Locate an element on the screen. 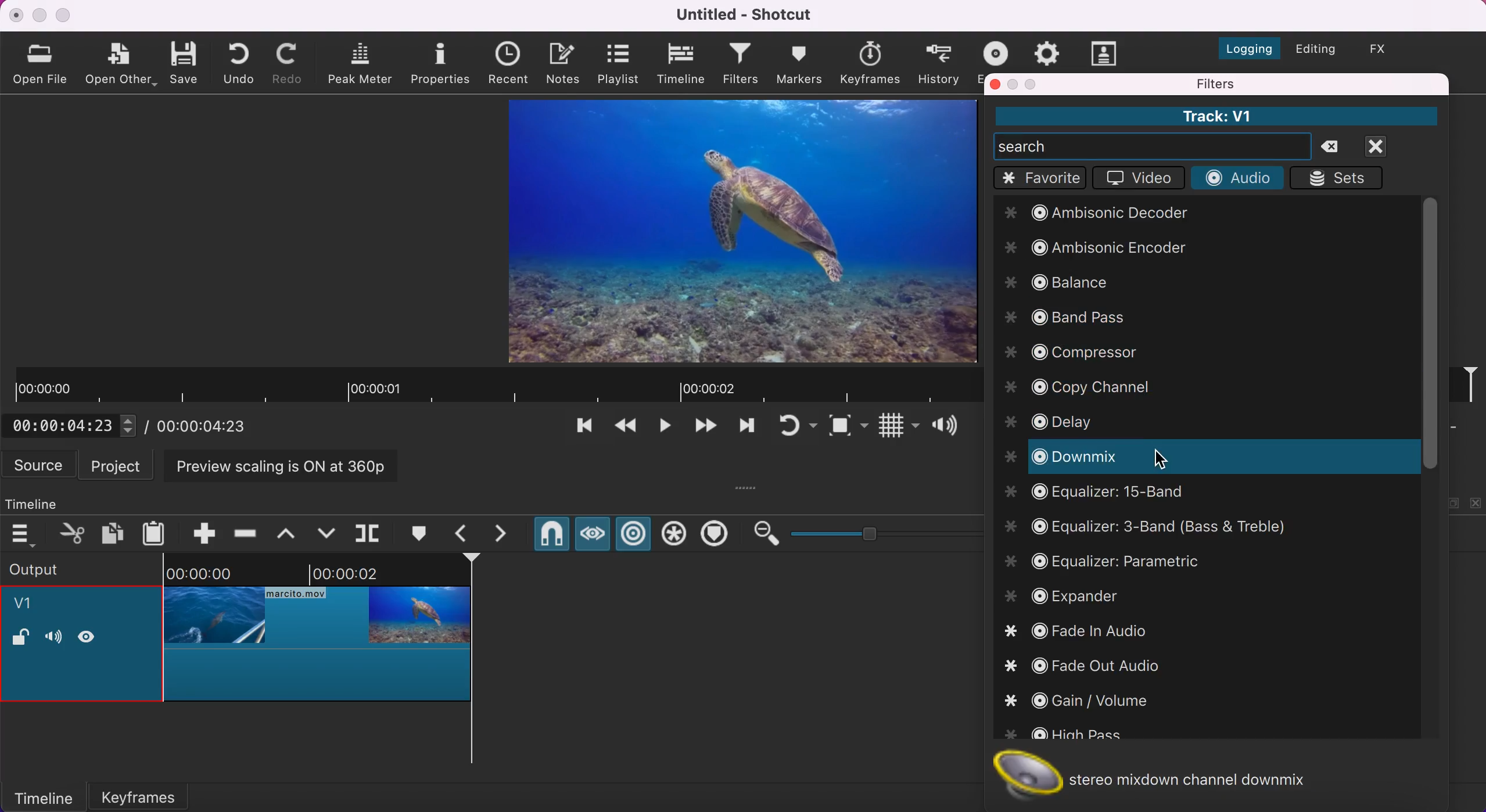 This screenshot has height=812, width=1486. play quickly backwards is located at coordinates (624, 429).